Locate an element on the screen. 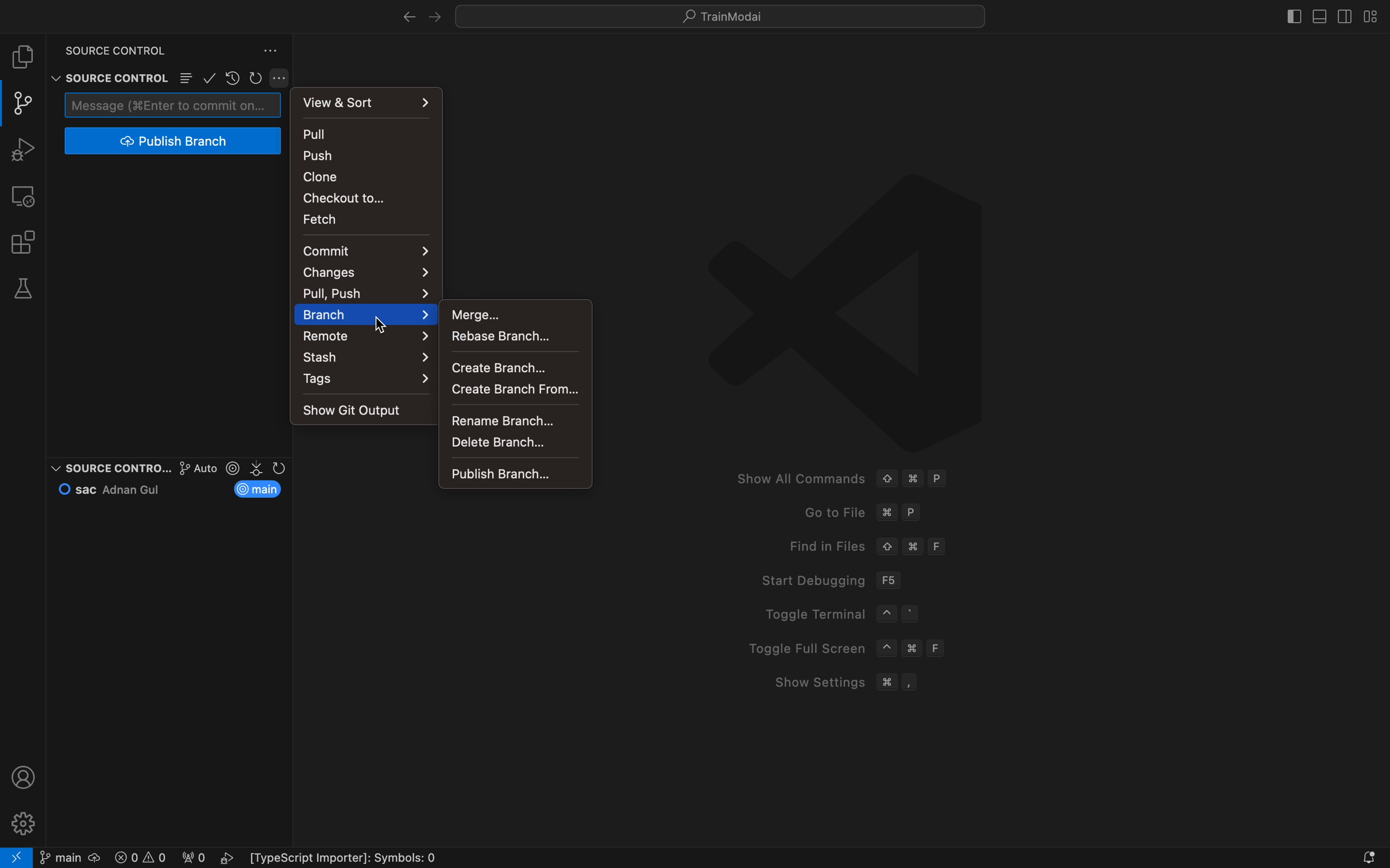 The height and width of the screenshot is (868, 1390). graph is located at coordinates (184, 468).